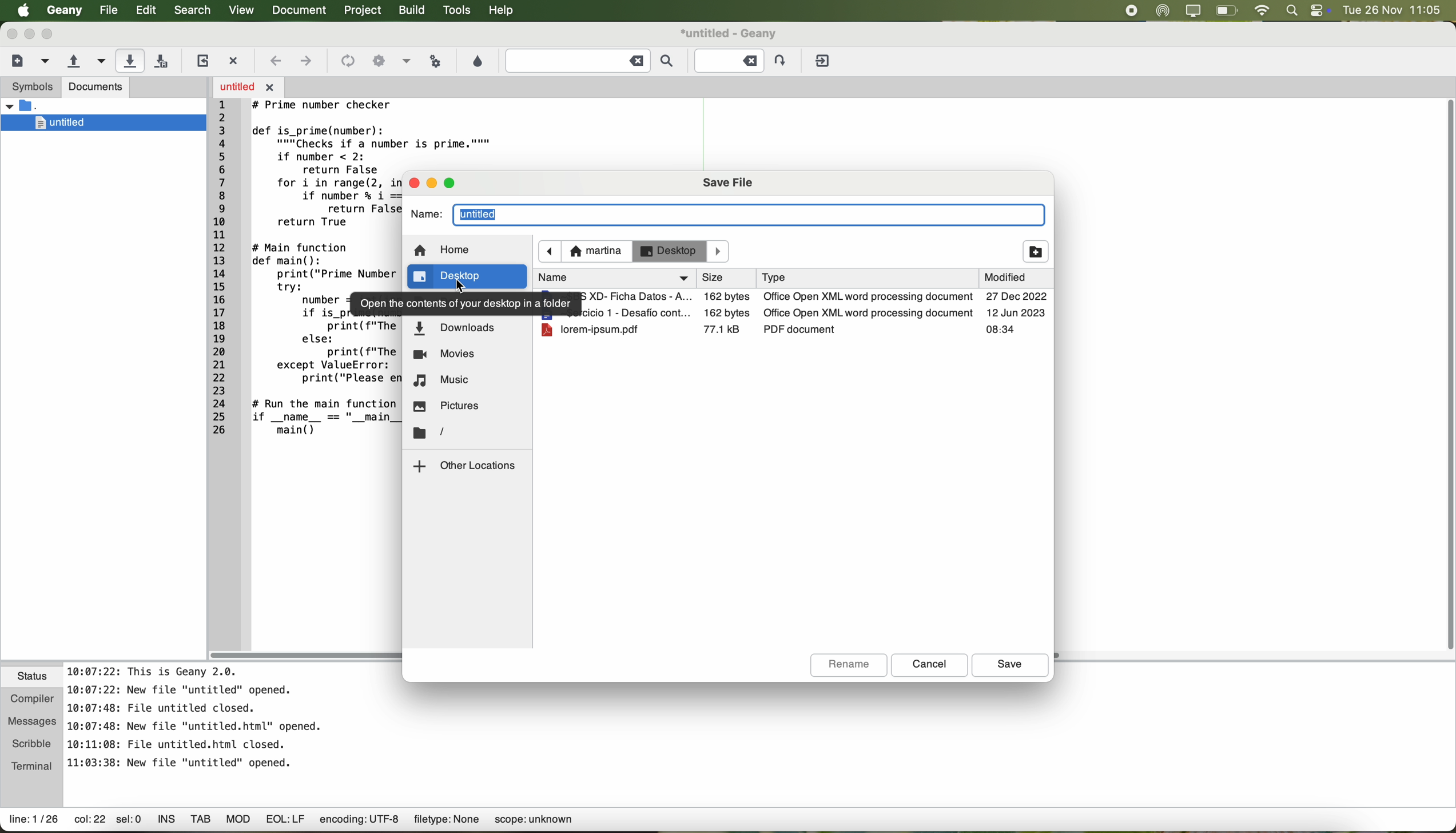 The image size is (1456, 833). What do you see at coordinates (46, 62) in the screenshot?
I see `create a new file from template` at bounding box center [46, 62].